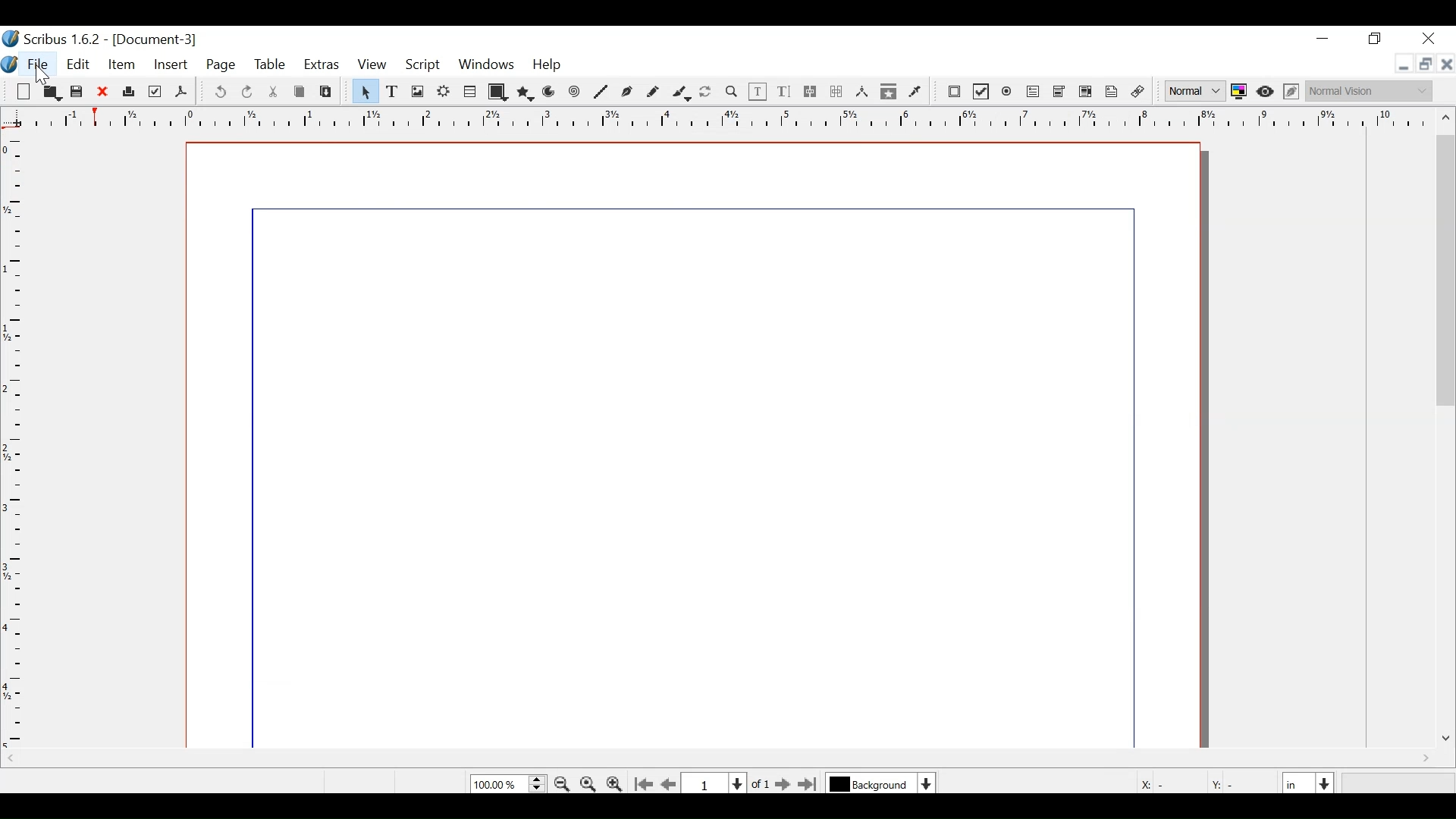 The width and height of the screenshot is (1456, 819). Describe the element at coordinates (271, 66) in the screenshot. I see `Table` at that location.